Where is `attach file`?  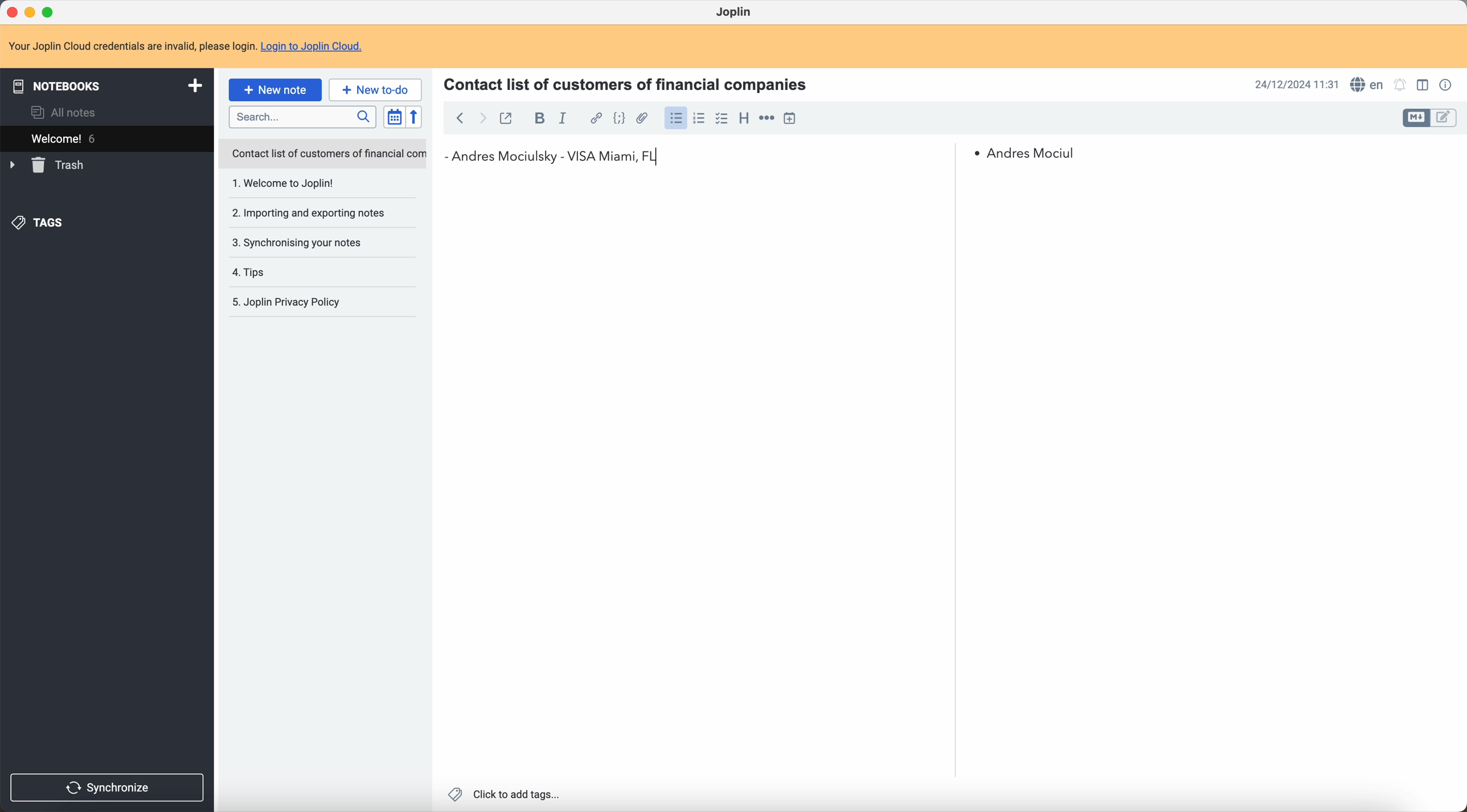 attach file is located at coordinates (643, 118).